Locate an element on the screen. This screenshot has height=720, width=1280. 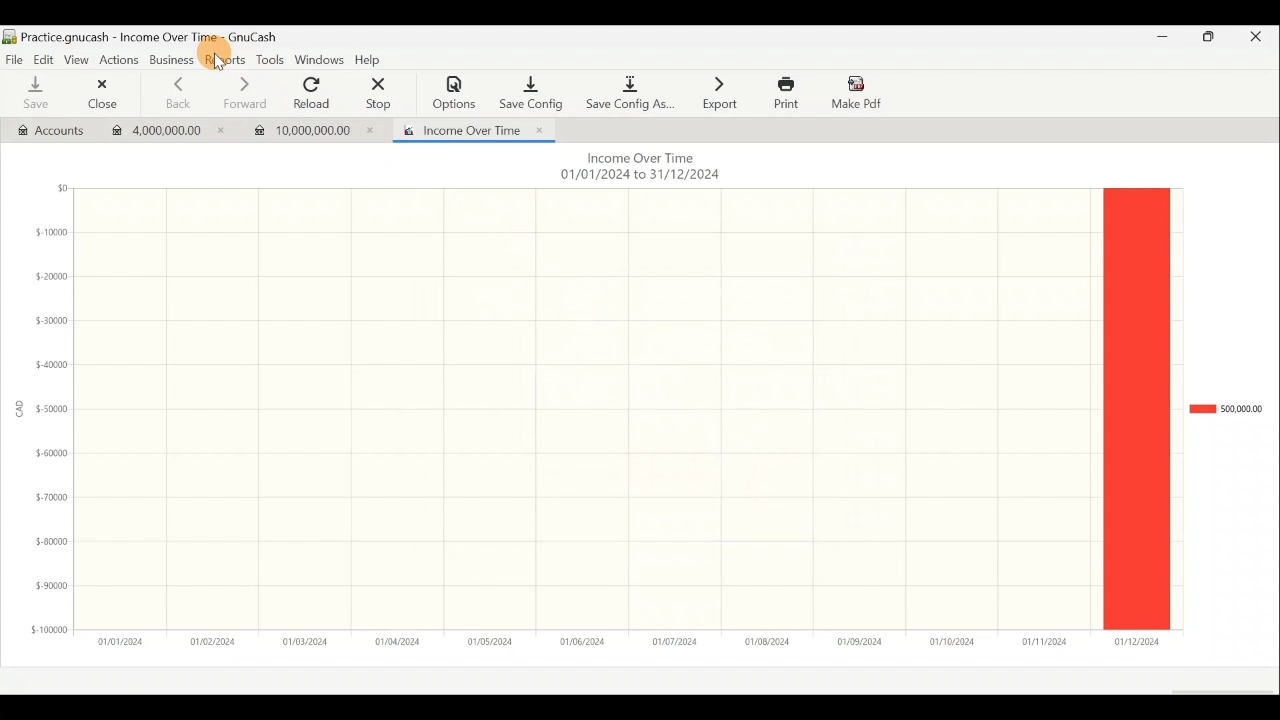
Tools is located at coordinates (269, 60).